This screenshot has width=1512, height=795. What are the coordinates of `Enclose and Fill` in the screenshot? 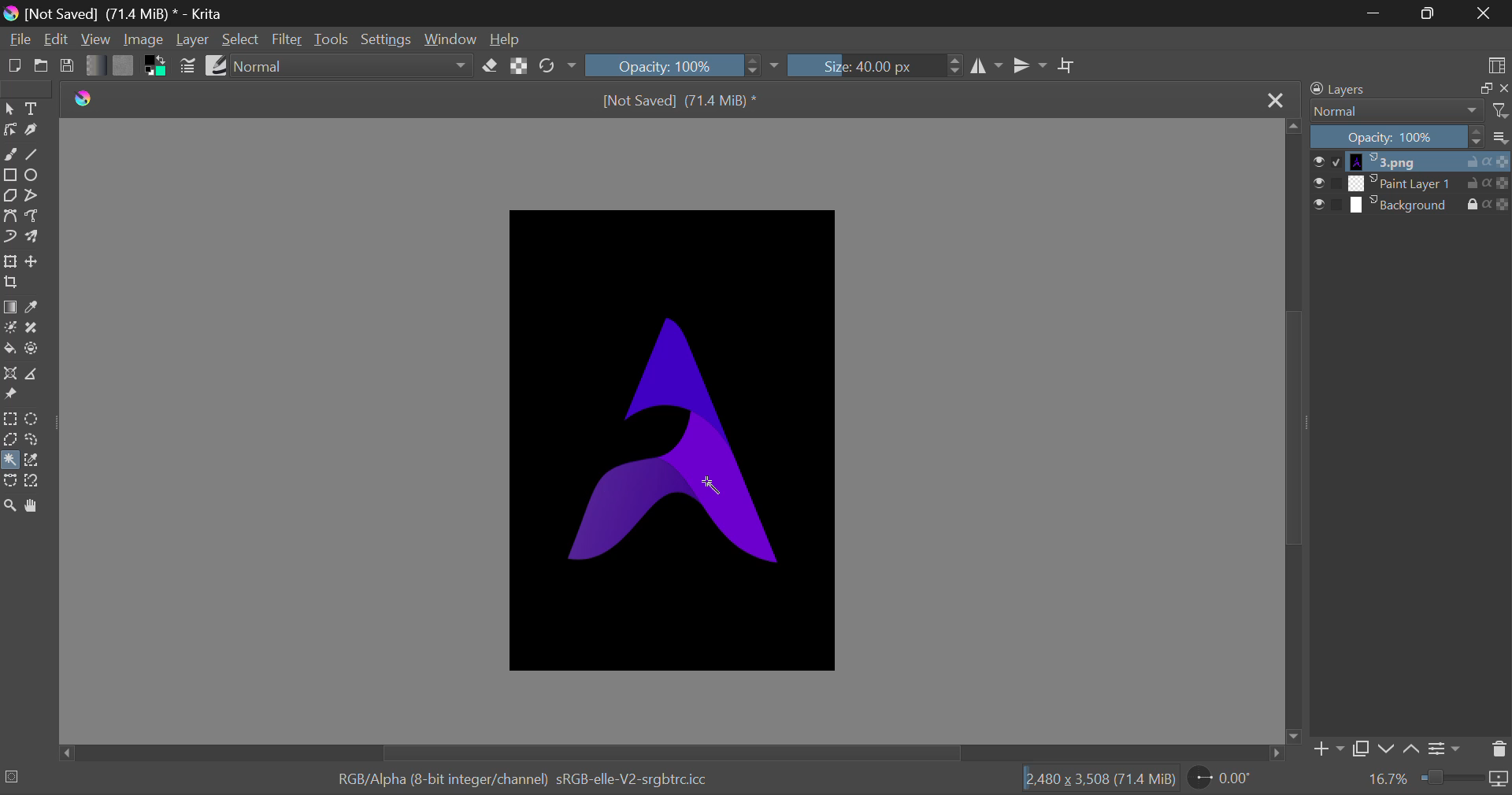 It's located at (36, 351).